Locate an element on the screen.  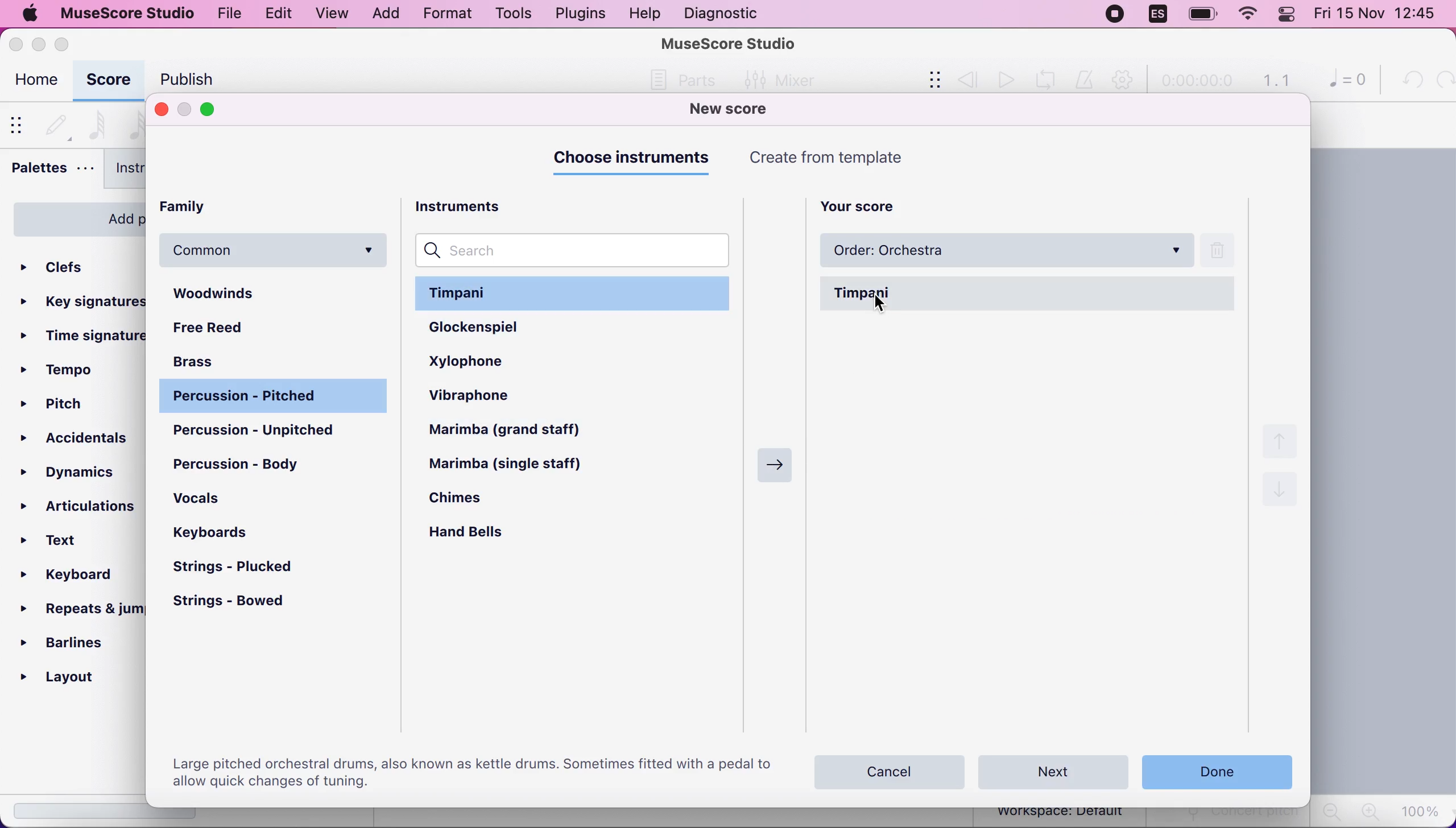
minimize is located at coordinates (185, 110).